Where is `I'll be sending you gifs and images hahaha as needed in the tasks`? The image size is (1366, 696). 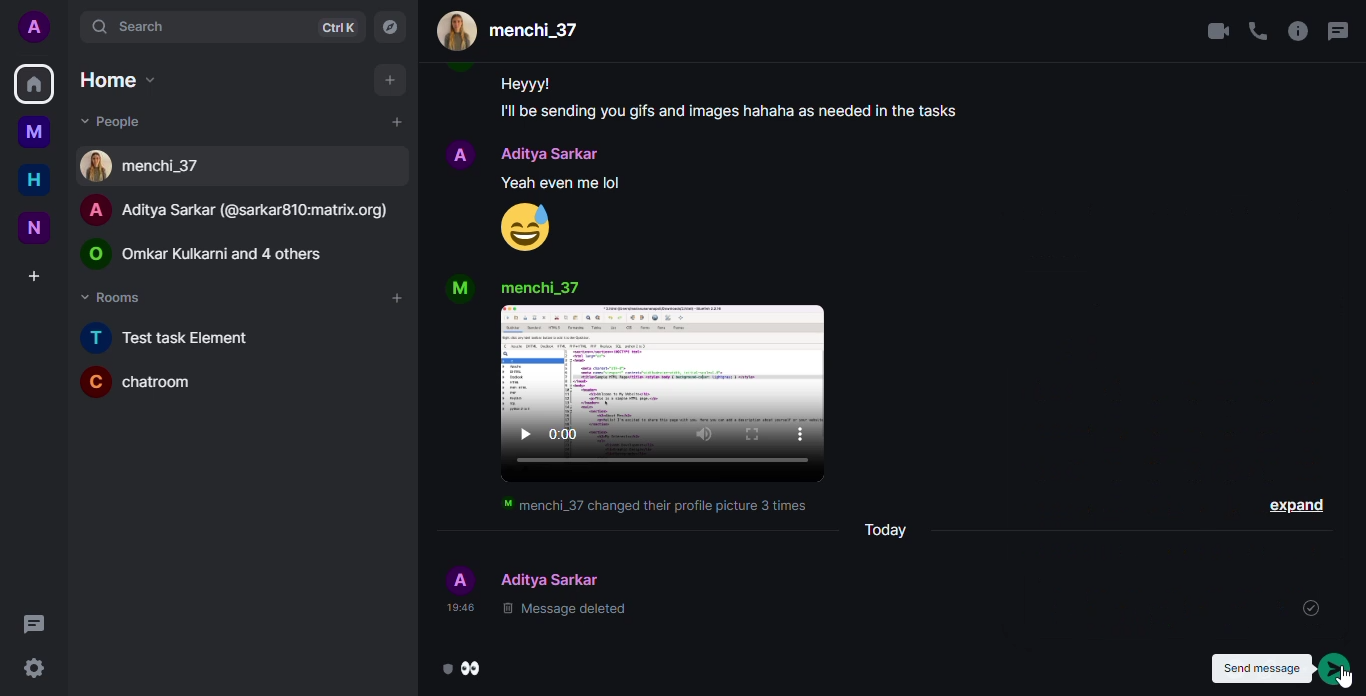
I'll be sending you gifs and images hahaha as needed in the tasks is located at coordinates (745, 113).